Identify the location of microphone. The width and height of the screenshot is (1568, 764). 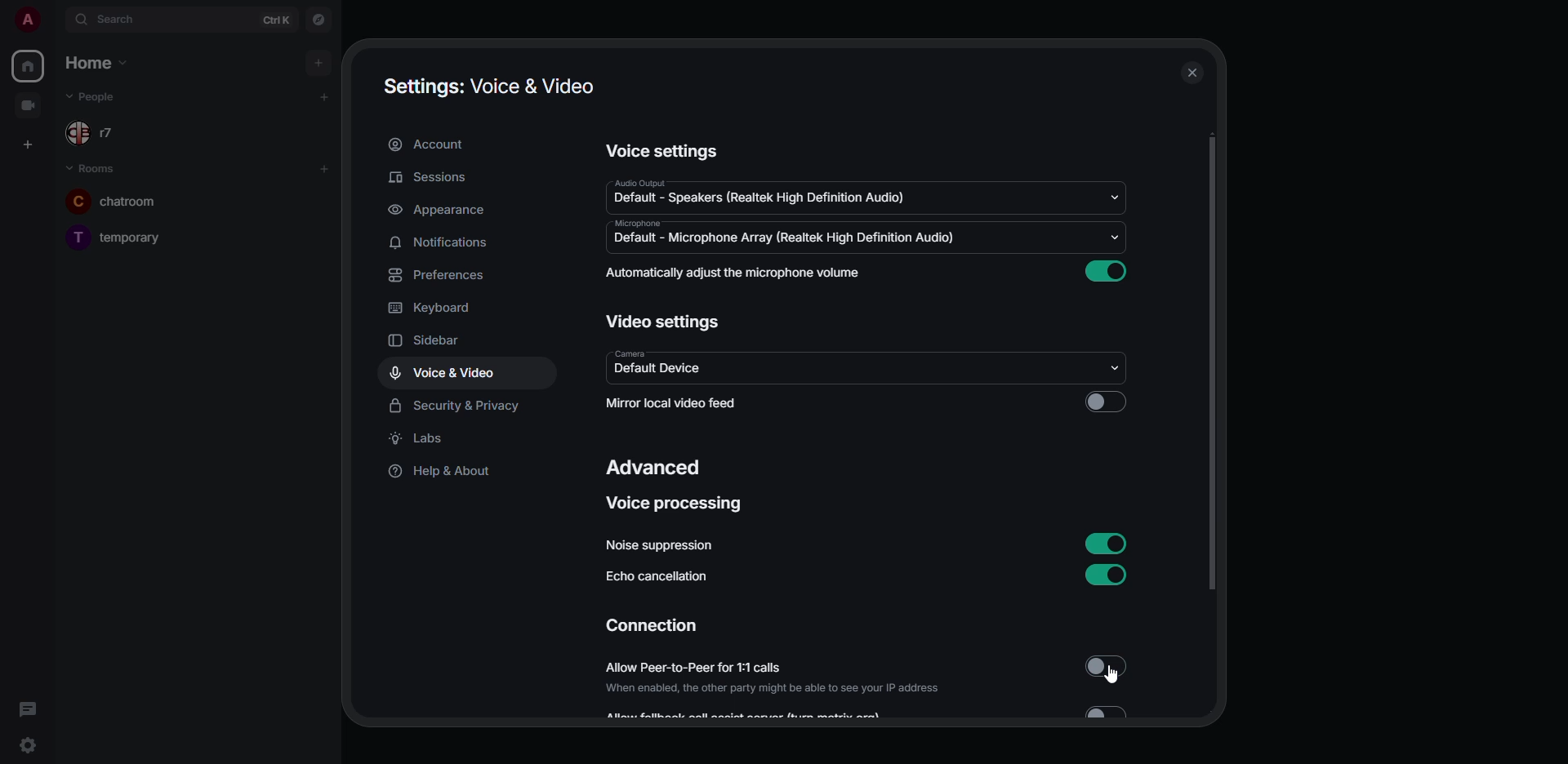
(637, 223).